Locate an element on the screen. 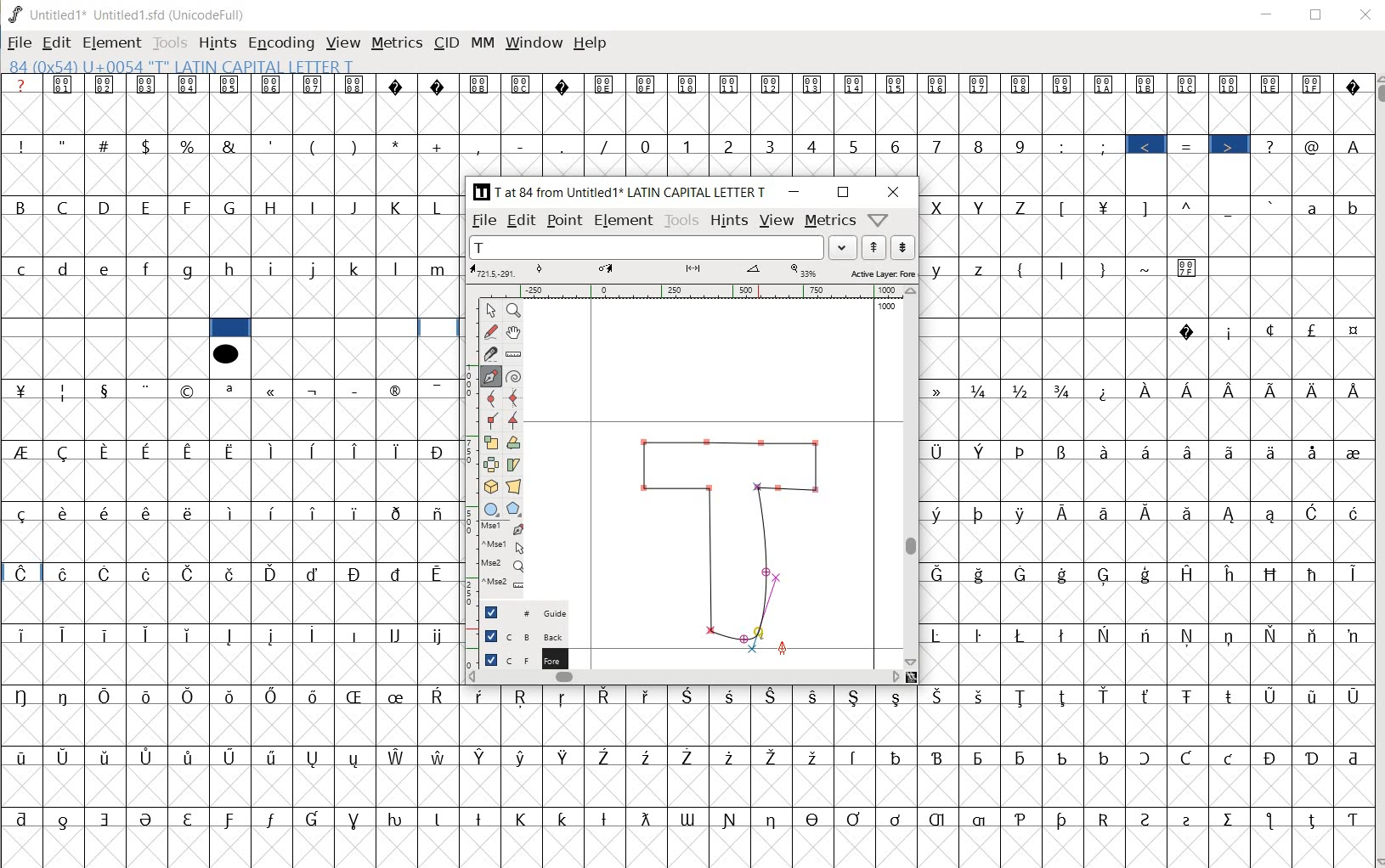 This screenshot has height=868, width=1385. Symbol is located at coordinates (274, 758).